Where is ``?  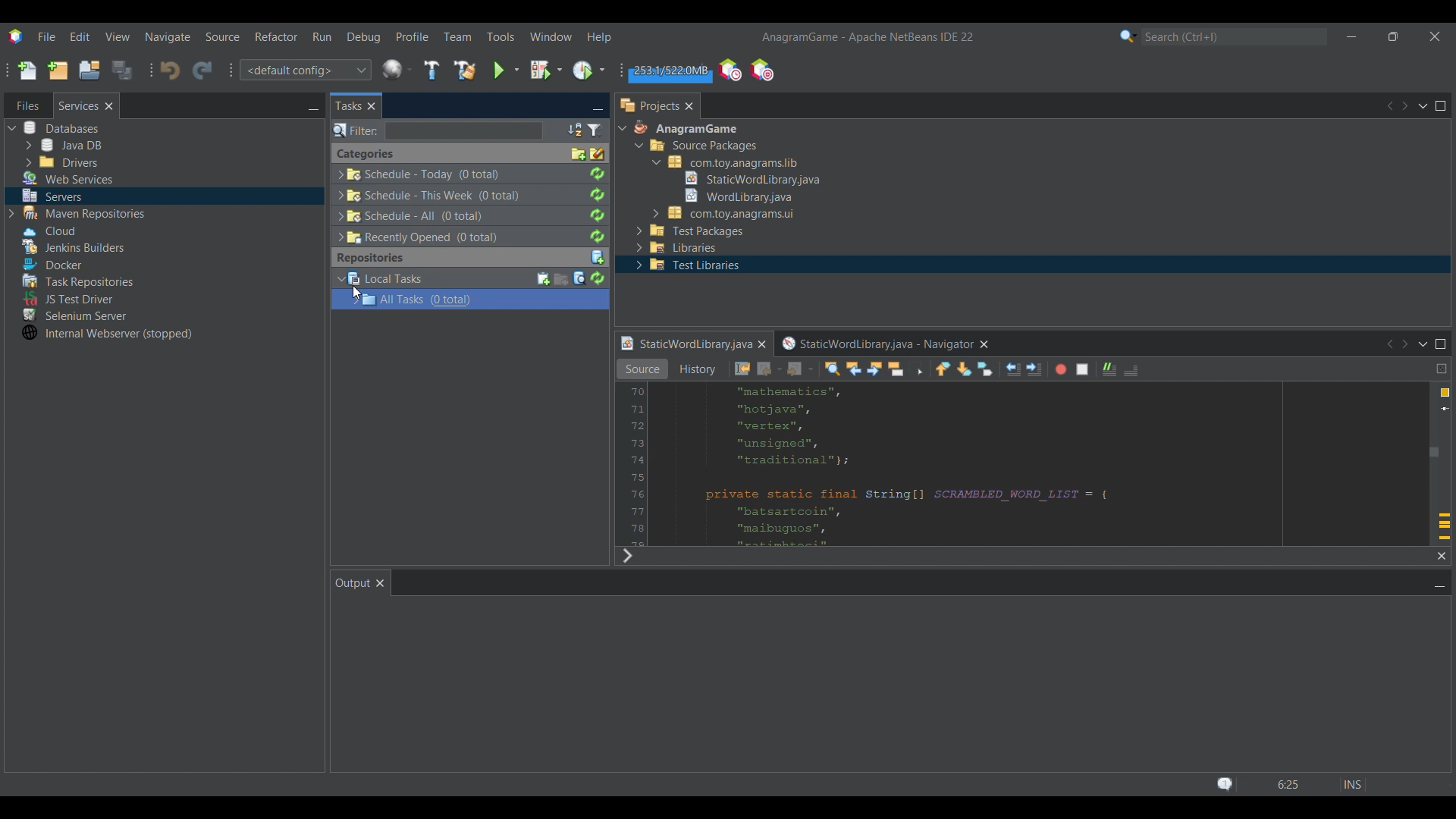
 is located at coordinates (629, 556).